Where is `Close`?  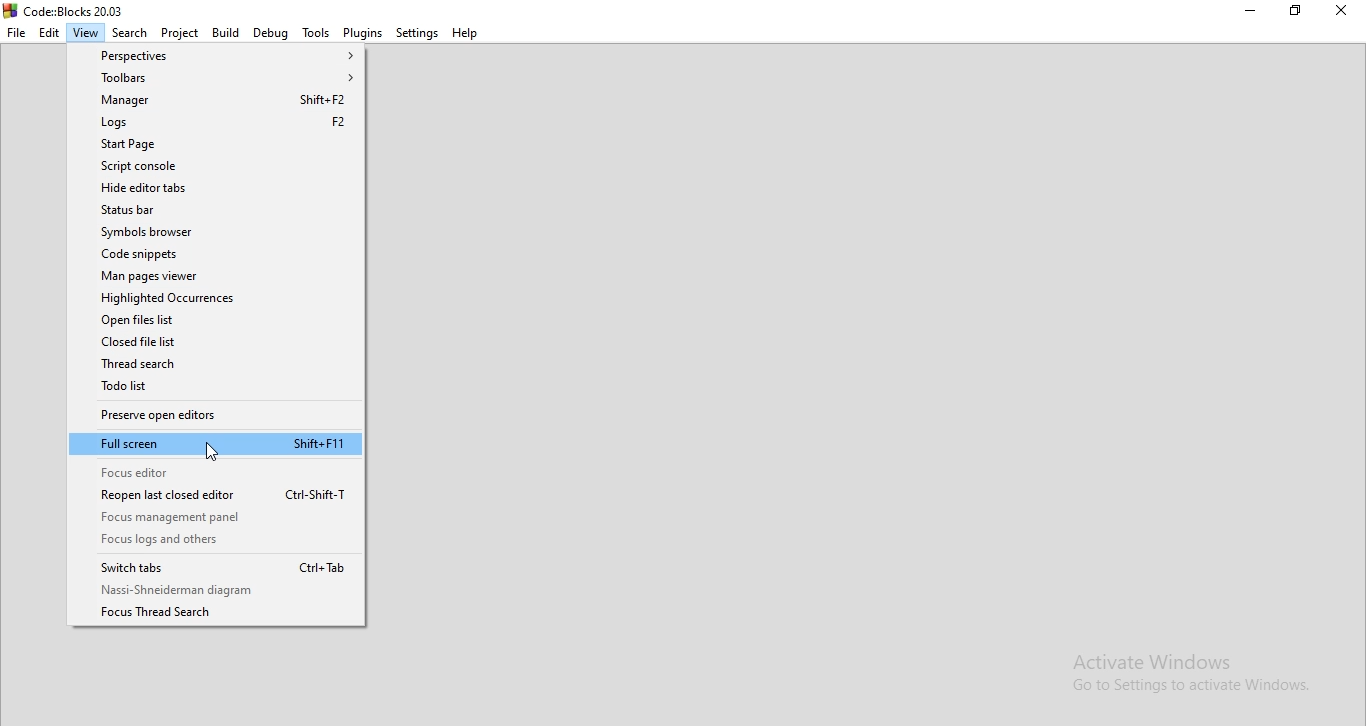 Close is located at coordinates (1340, 12).